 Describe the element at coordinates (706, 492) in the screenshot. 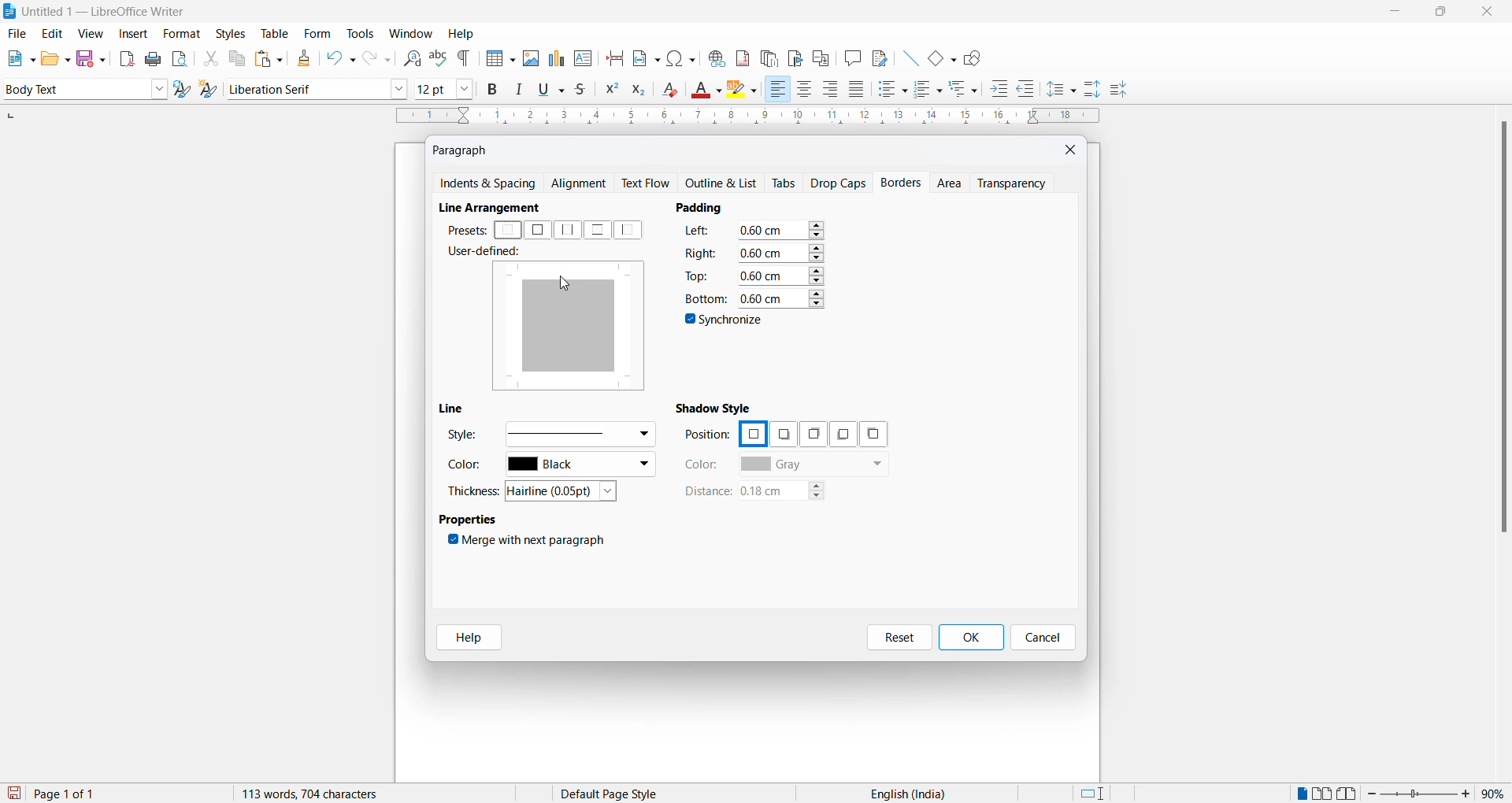

I see `distance` at that location.